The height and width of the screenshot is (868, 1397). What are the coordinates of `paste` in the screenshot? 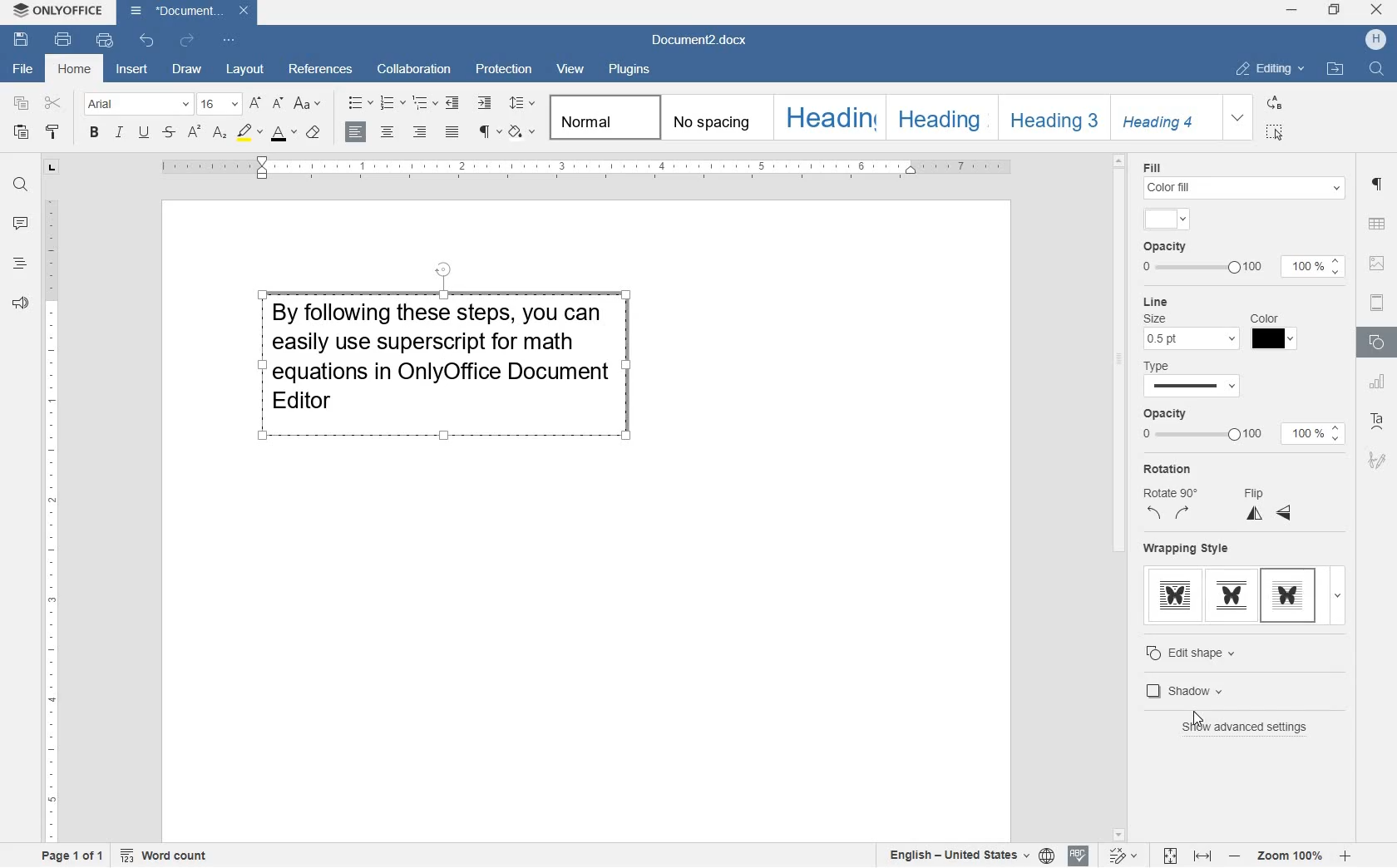 It's located at (22, 133).